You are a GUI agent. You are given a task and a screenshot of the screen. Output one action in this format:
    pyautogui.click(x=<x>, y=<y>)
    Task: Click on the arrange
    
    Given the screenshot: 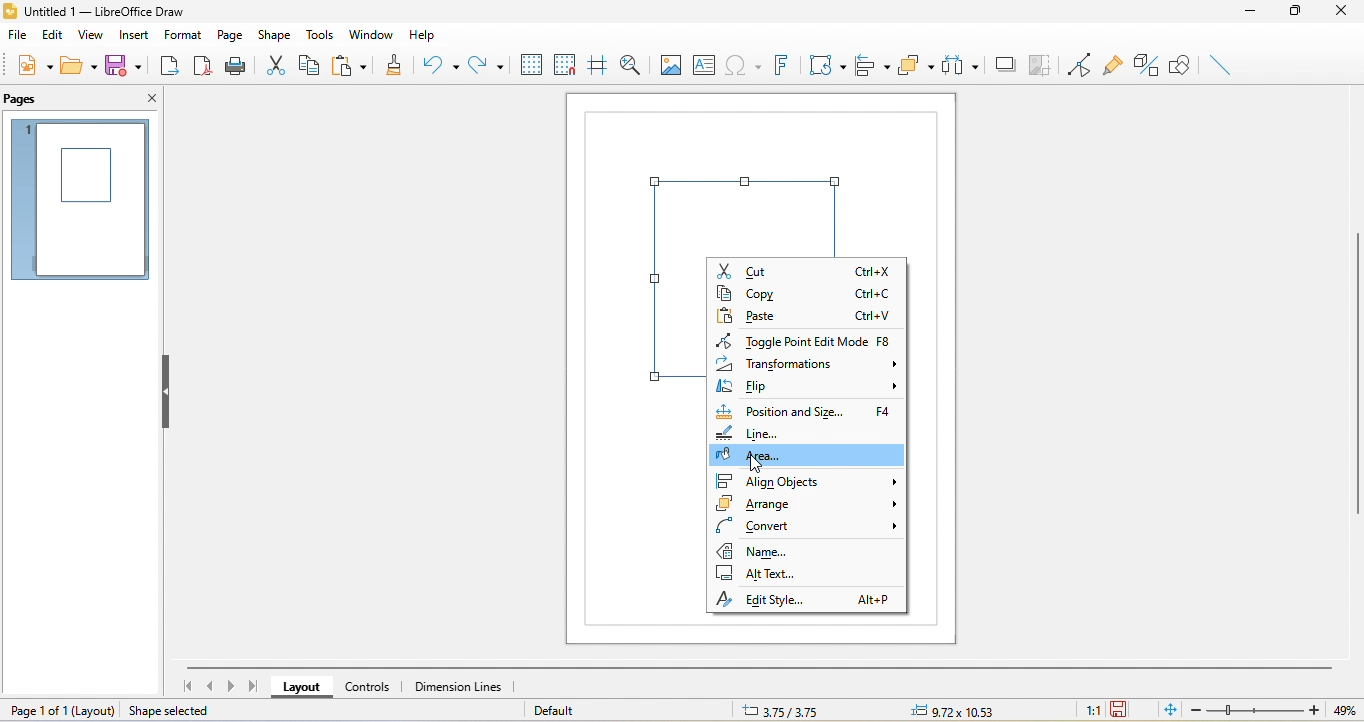 What is the action you would take?
    pyautogui.click(x=806, y=506)
    